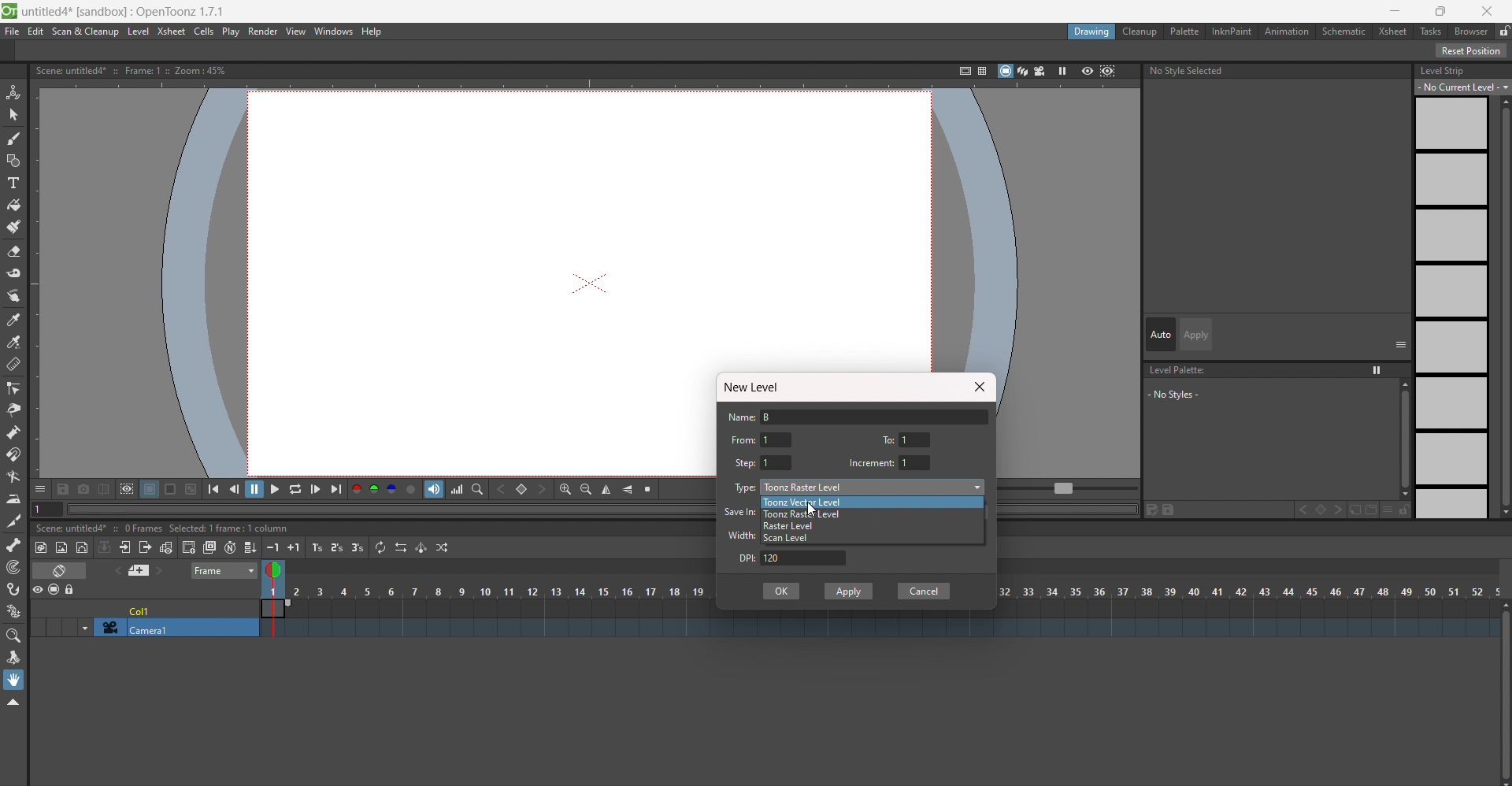  I want to click on toggle edit in place, so click(165, 547).